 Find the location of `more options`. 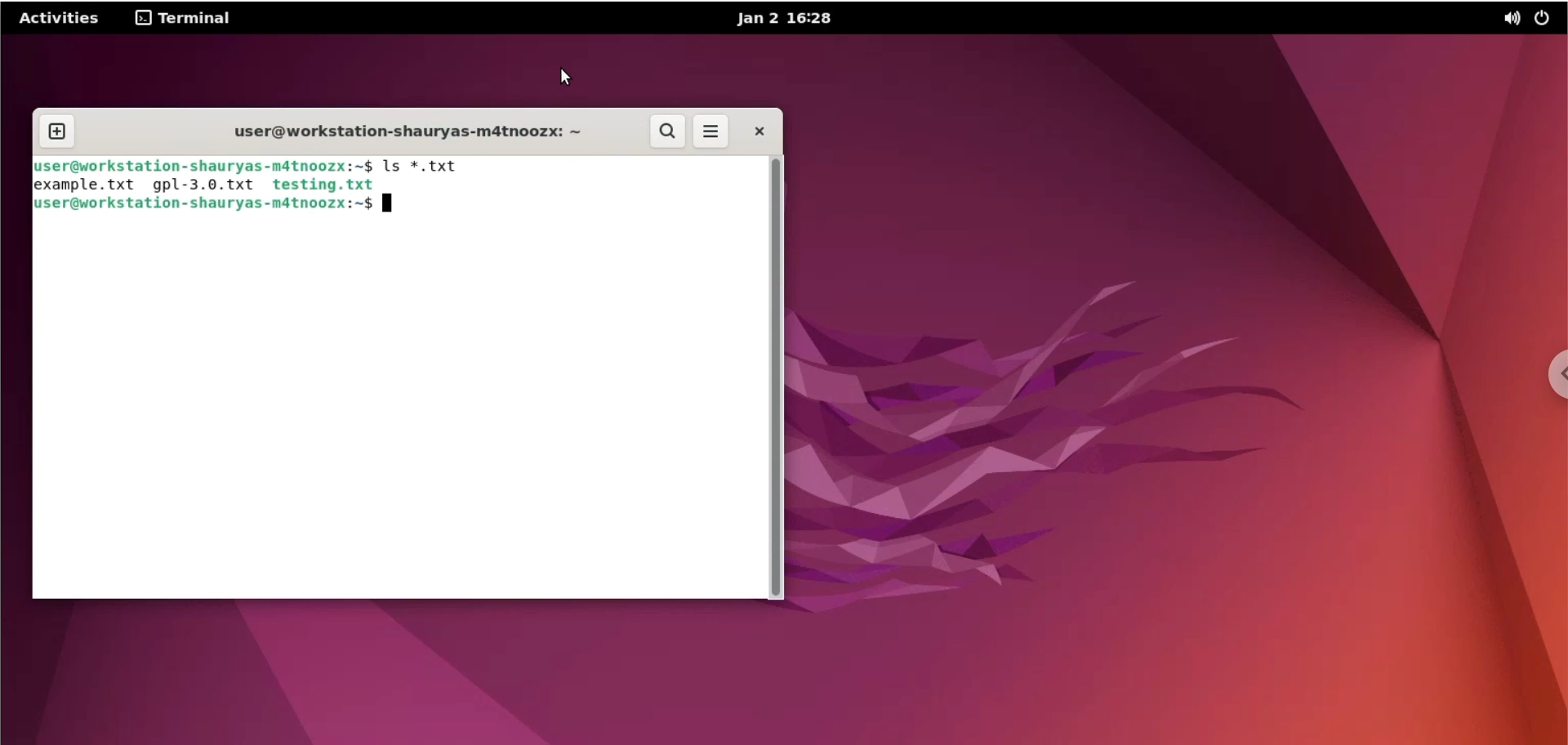

more options is located at coordinates (709, 132).